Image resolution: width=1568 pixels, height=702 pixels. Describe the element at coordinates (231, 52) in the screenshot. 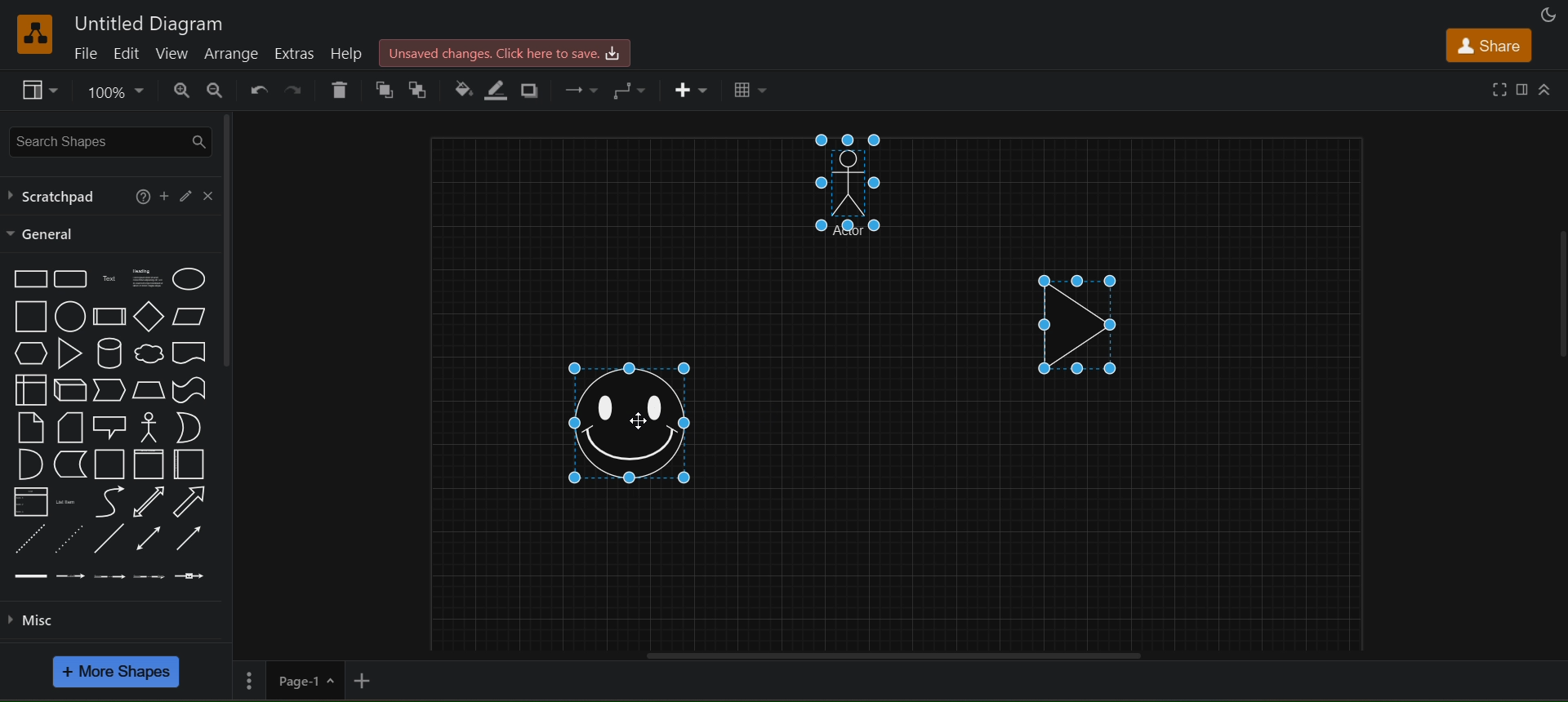

I see `arrange` at that location.